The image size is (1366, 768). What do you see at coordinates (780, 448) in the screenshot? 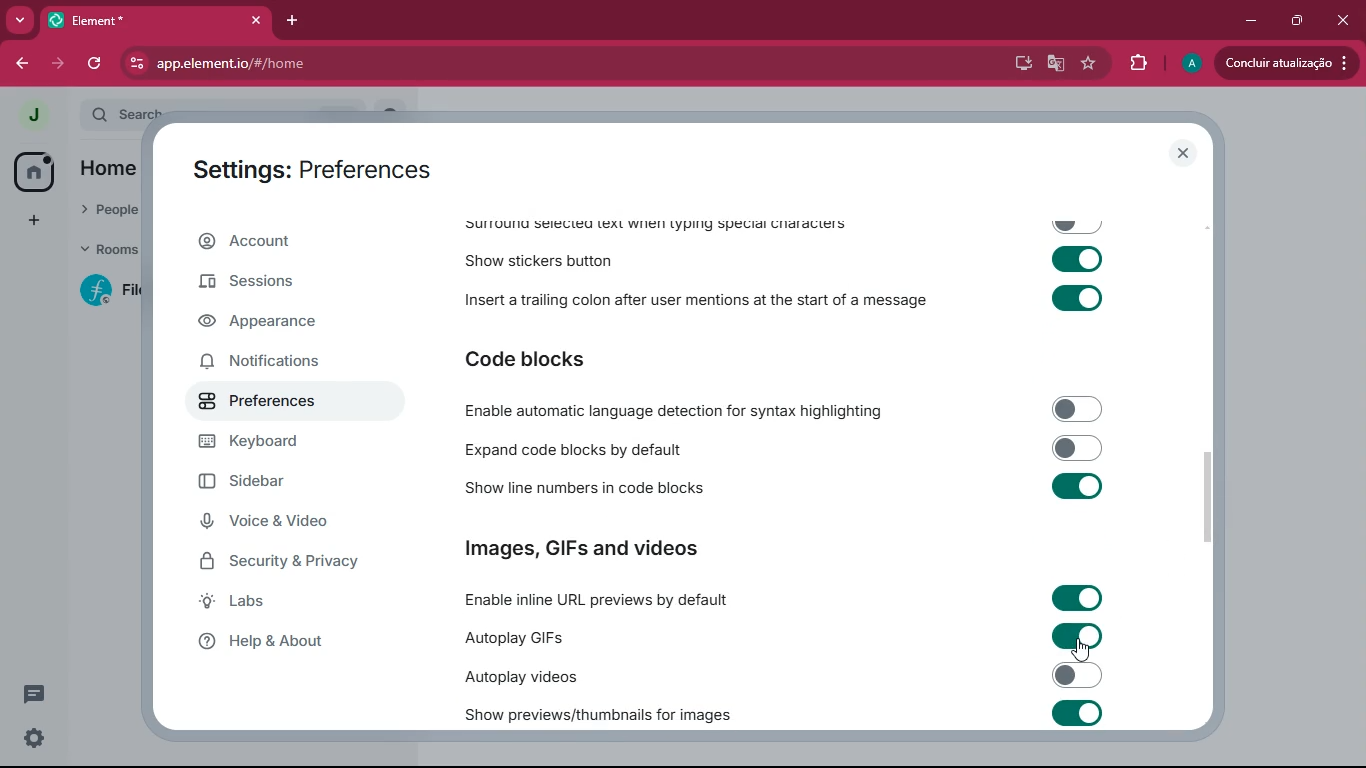
I see `Expand code blocks by default` at bounding box center [780, 448].